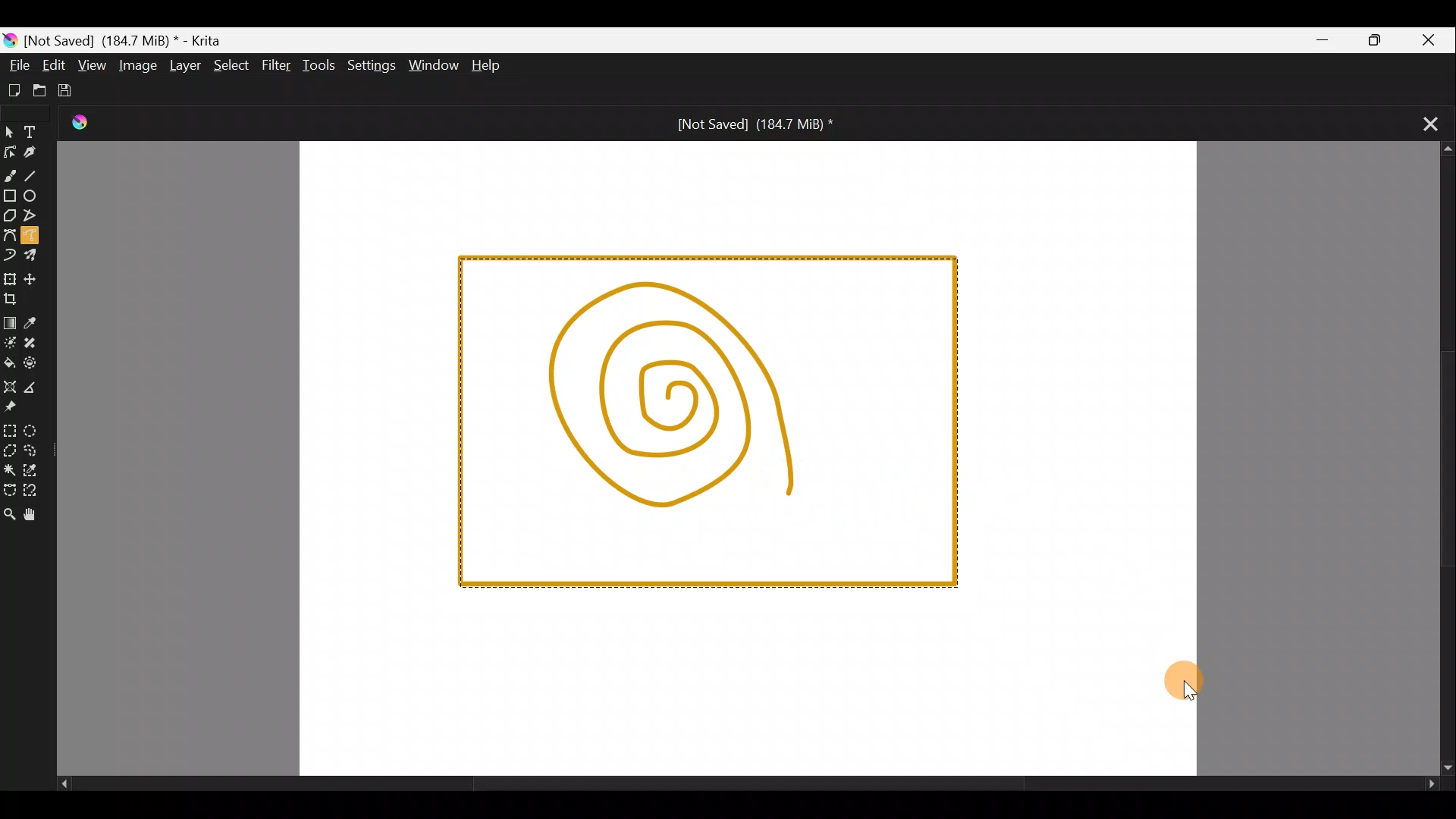 This screenshot has width=1456, height=819. Describe the element at coordinates (9, 386) in the screenshot. I see `Assistant tool` at that location.